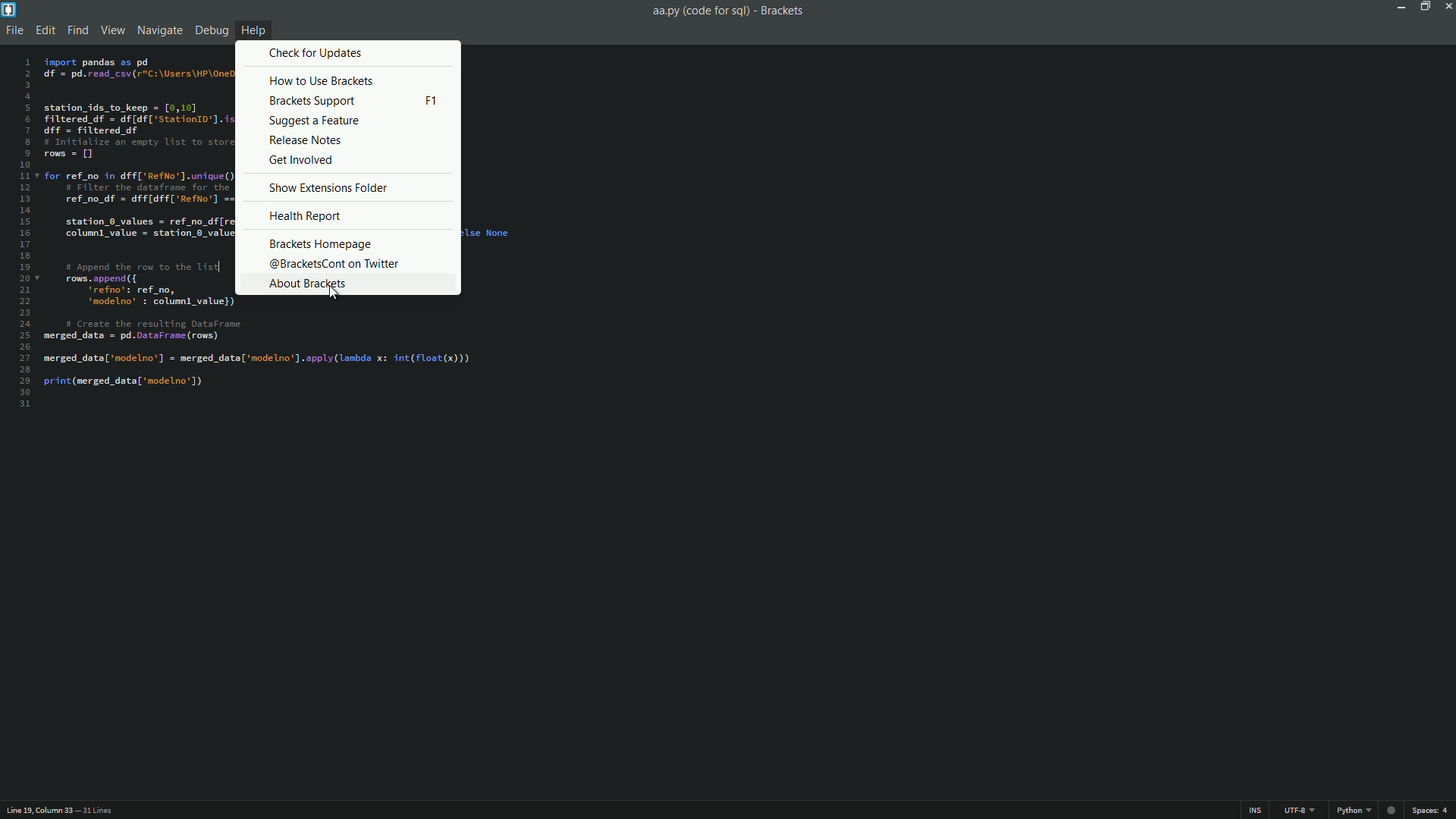 The image size is (1456, 819). Describe the element at coordinates (45, 30) in the screenshot. I see `edit menu` at that location.